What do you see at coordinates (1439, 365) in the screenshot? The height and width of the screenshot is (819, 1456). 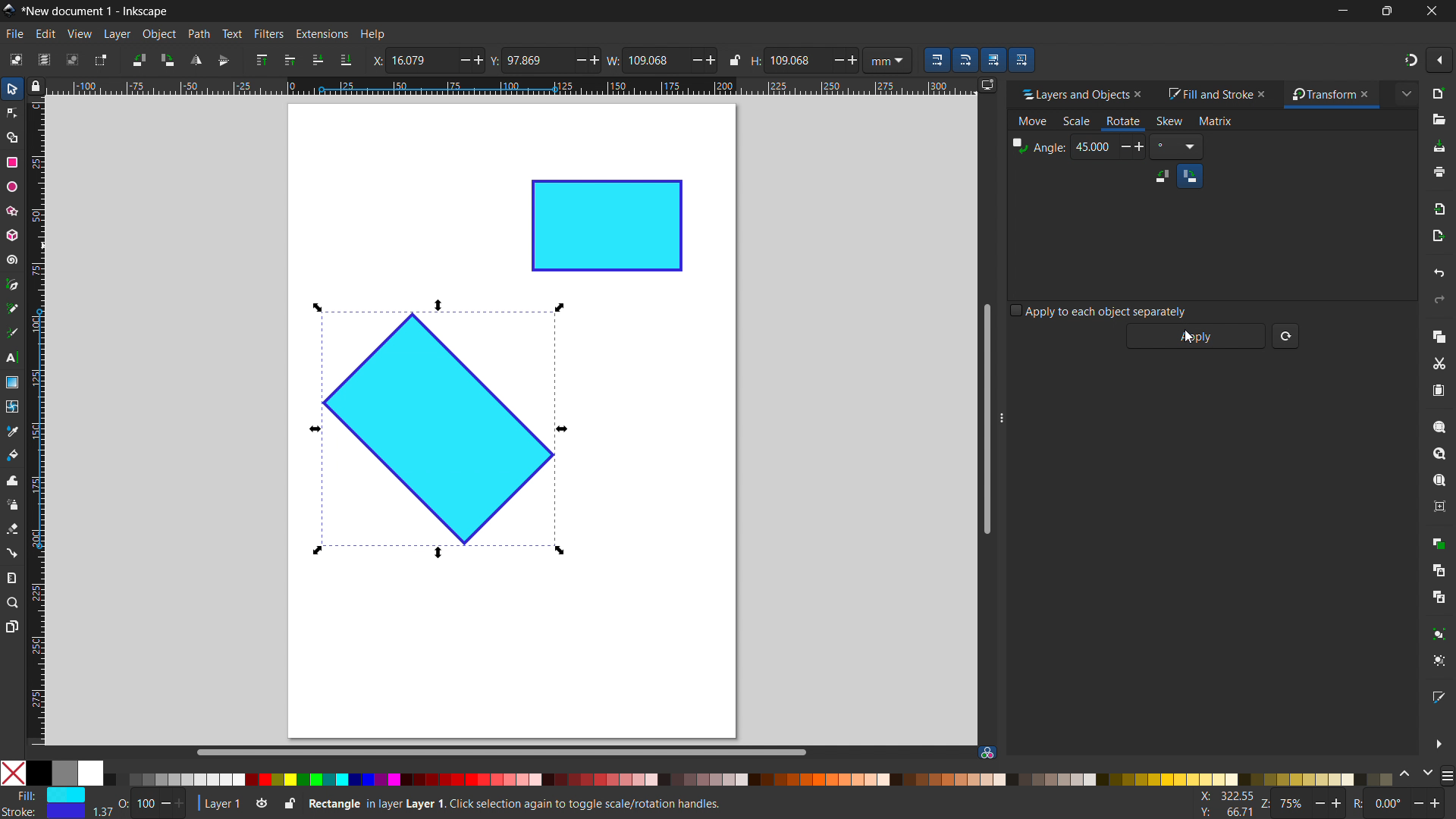 I see `cut` at bounding box center [1439, 365].